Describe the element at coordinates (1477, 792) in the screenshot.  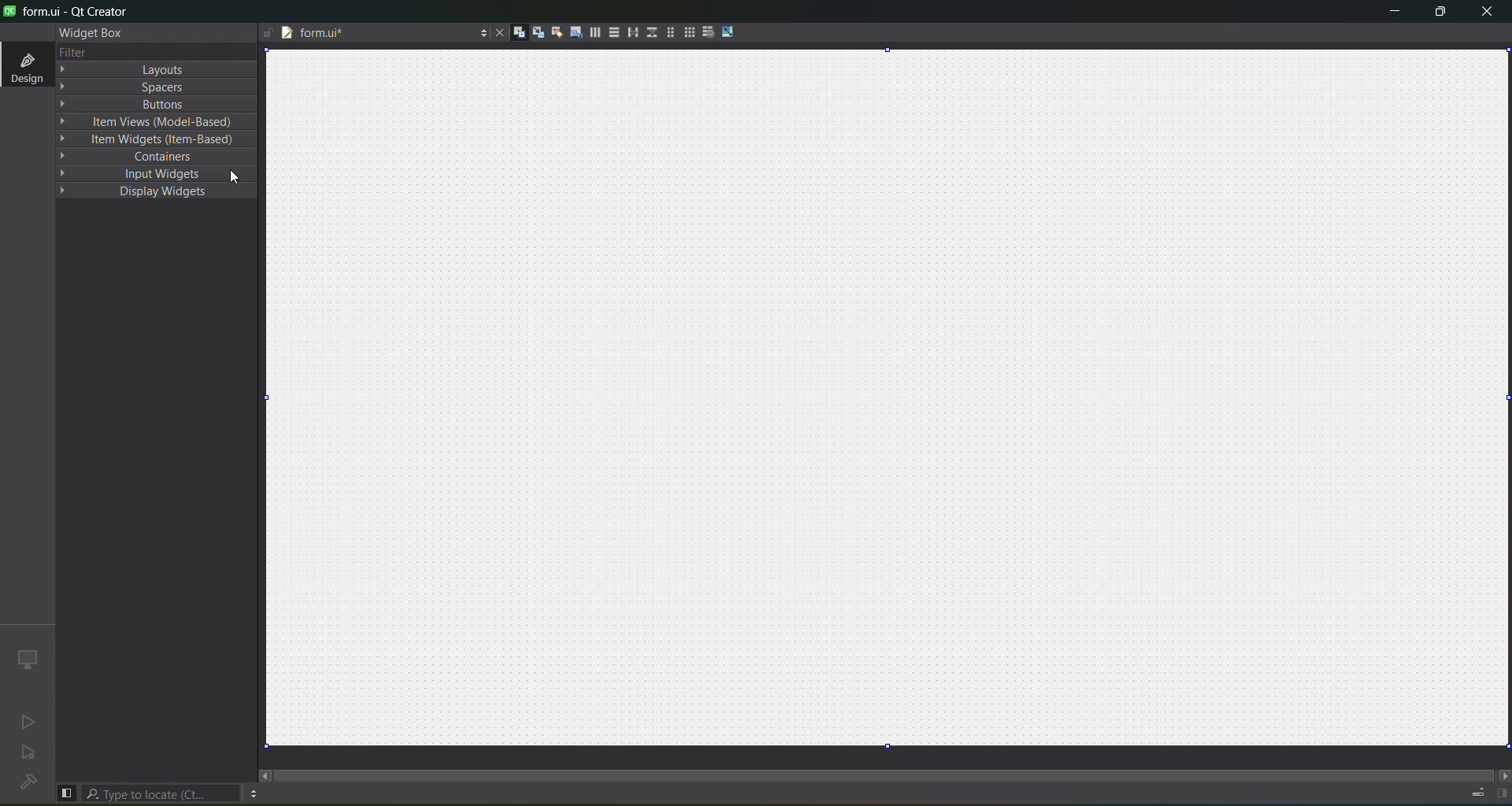
I see `progress details` at that location.